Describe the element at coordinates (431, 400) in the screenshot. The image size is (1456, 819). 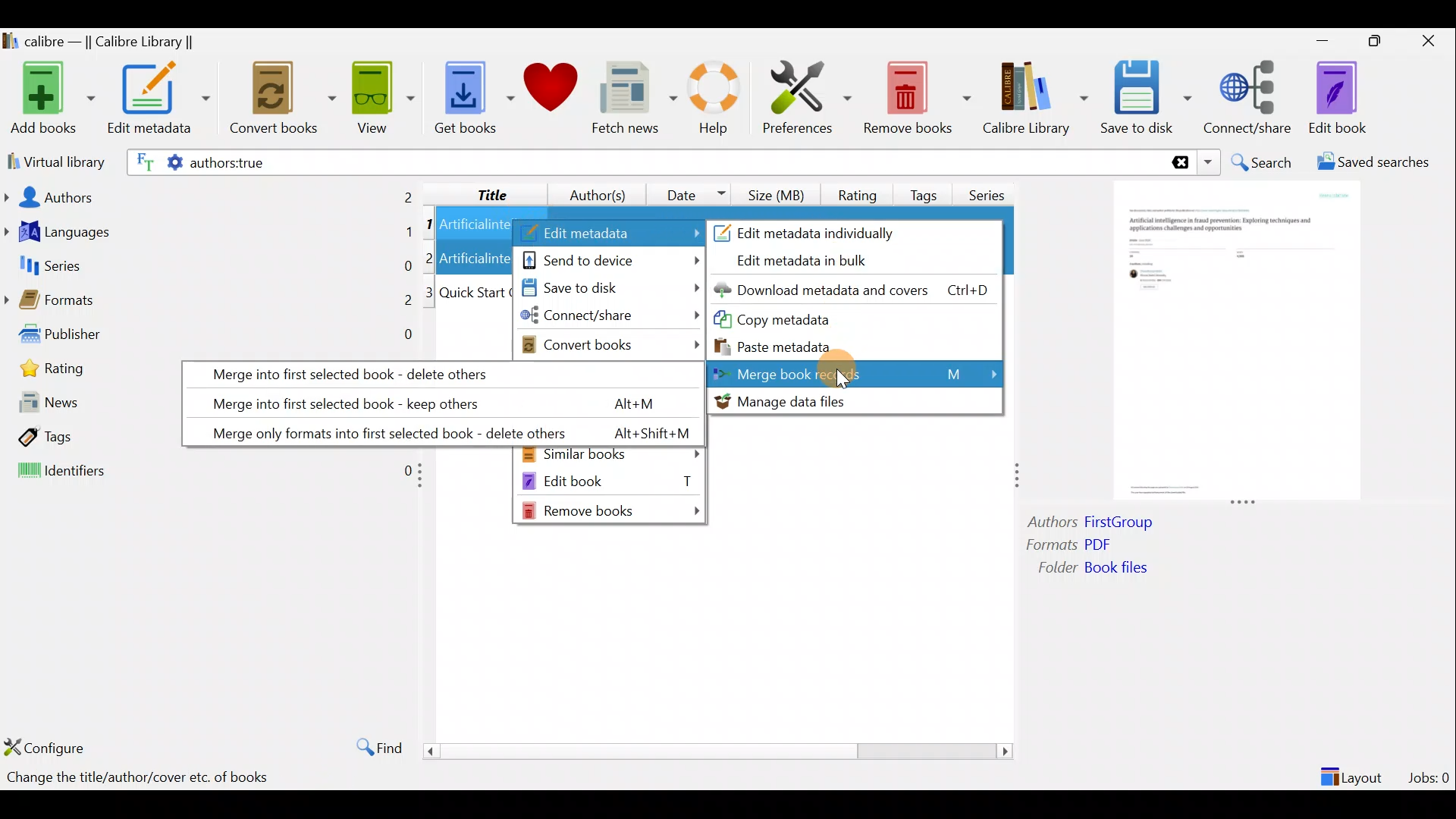
I see `Merge into first selected book - keep others  Alt+M` at that location.